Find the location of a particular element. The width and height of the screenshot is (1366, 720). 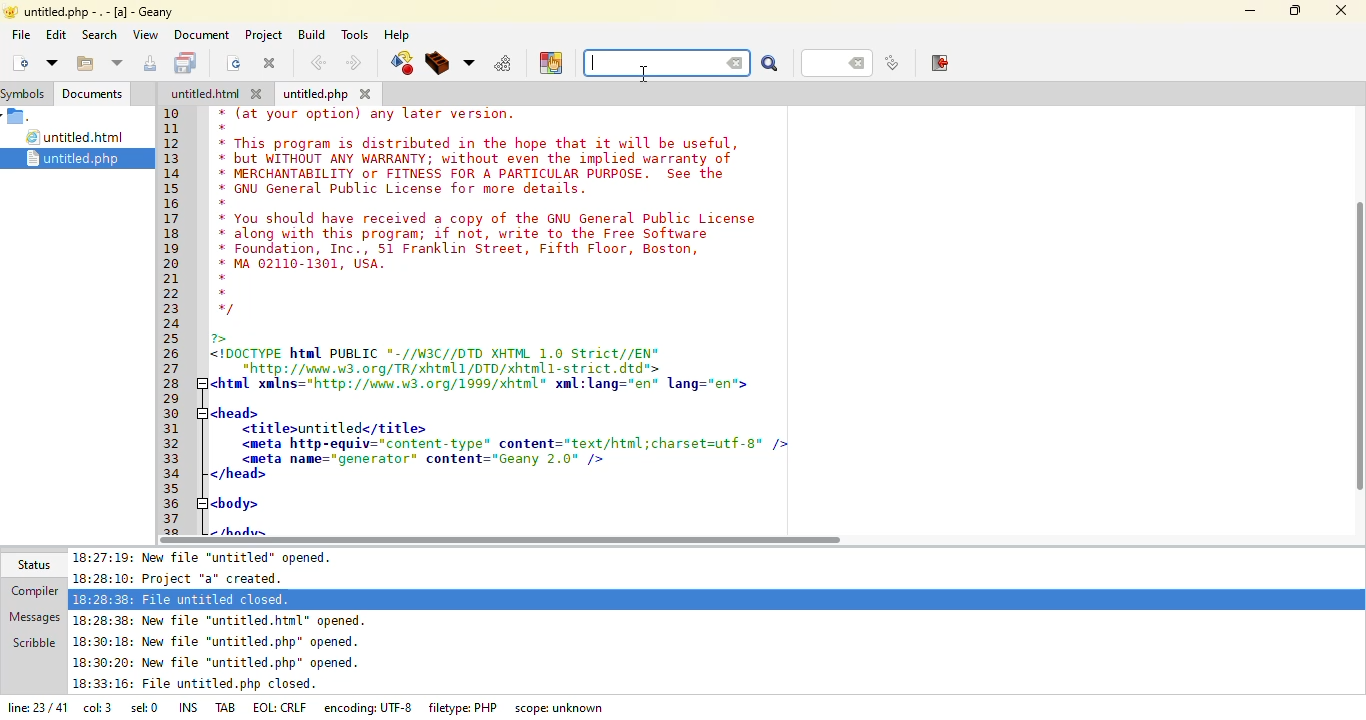

* MERCHANTABILITY or FITNESS FOR A PARTICULAR PURPOSE.  See the is located at coordinates (478, 175).